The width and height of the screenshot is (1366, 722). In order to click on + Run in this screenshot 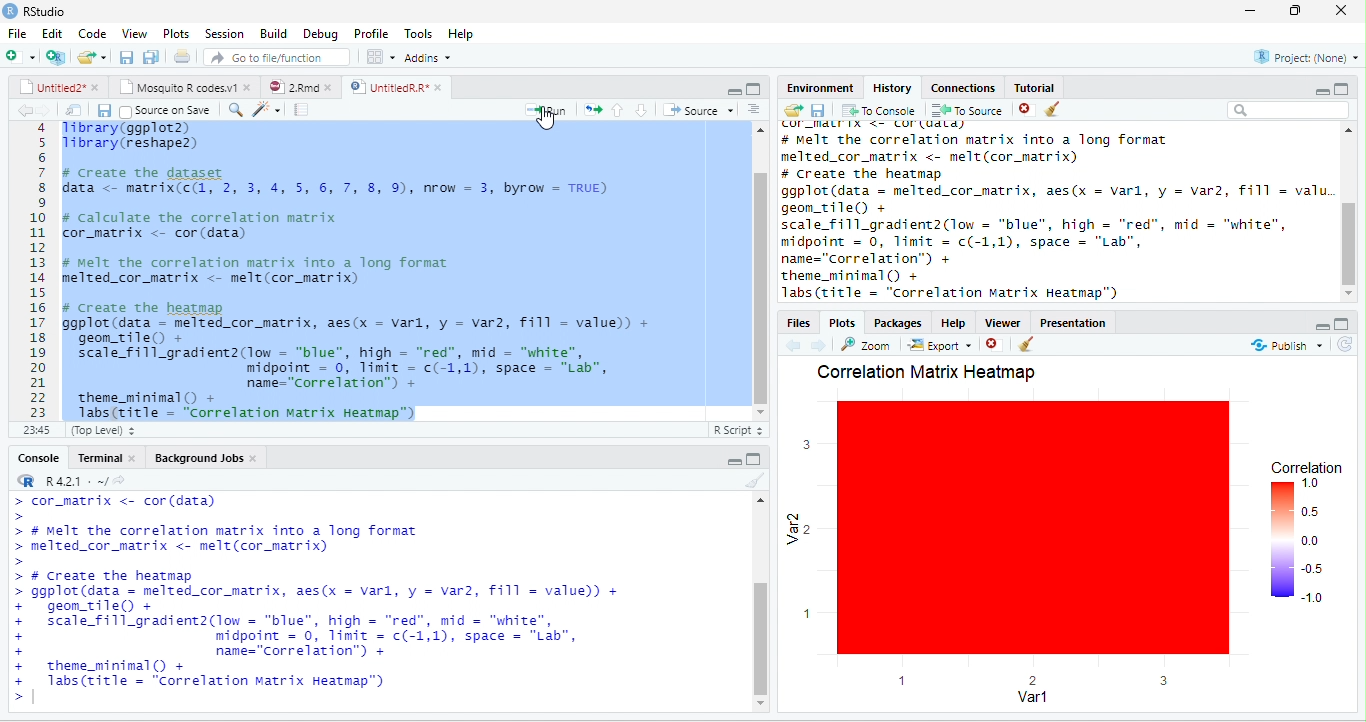, I will do `click(538, 110)`.